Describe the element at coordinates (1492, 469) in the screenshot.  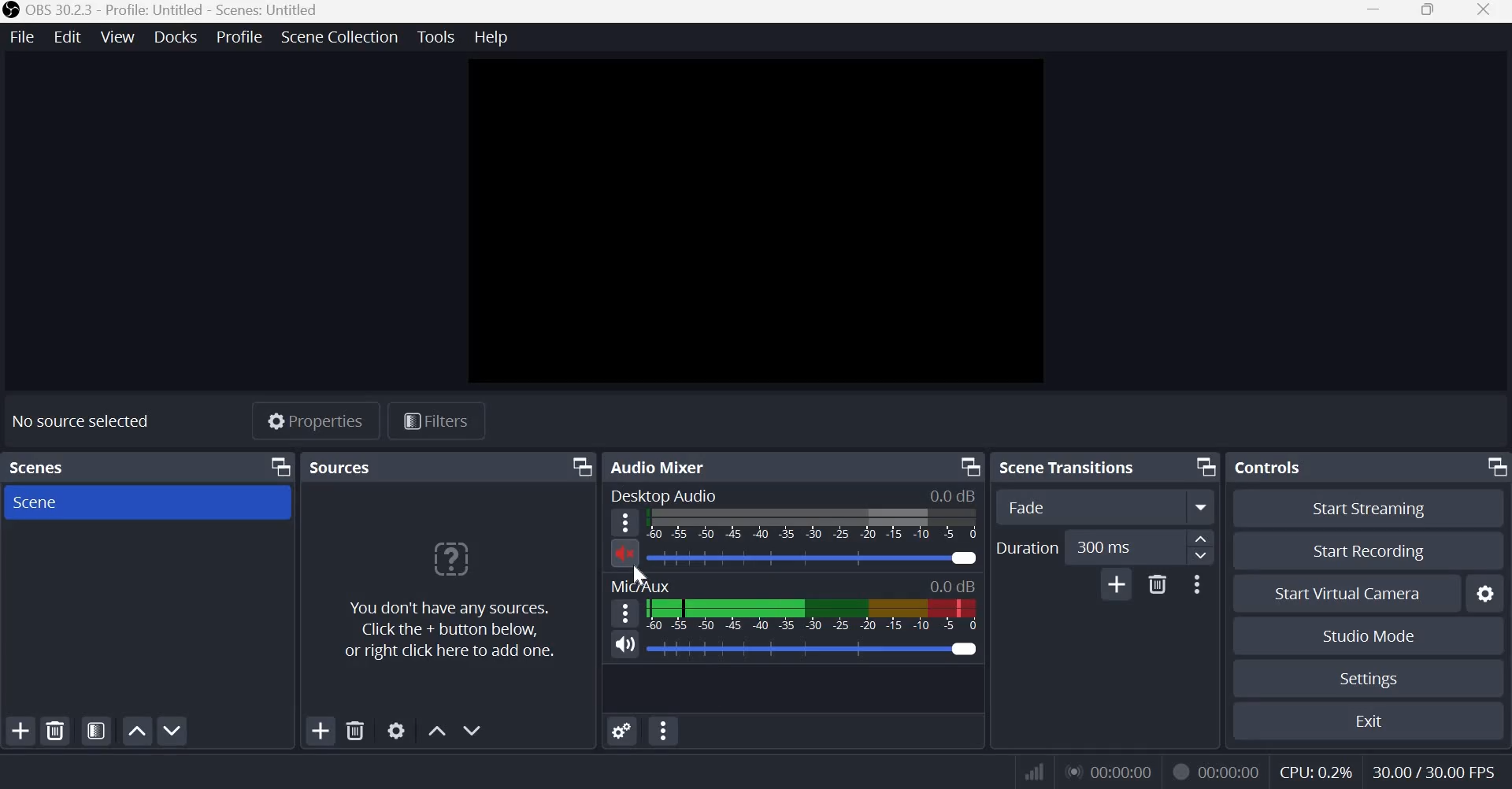
I see `Dock Options icon` at that location.